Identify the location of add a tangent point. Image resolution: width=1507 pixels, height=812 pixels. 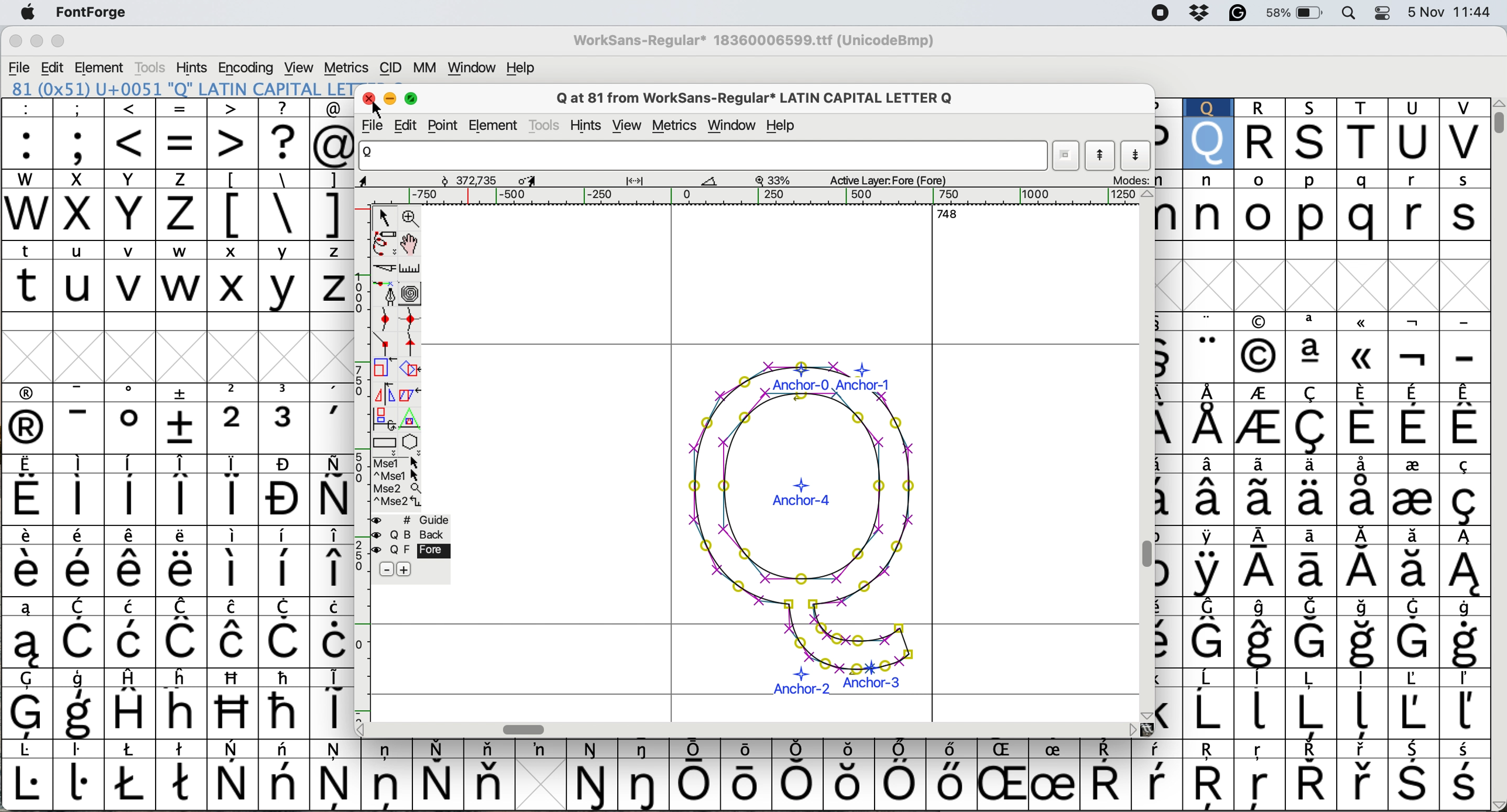
(413, 346).